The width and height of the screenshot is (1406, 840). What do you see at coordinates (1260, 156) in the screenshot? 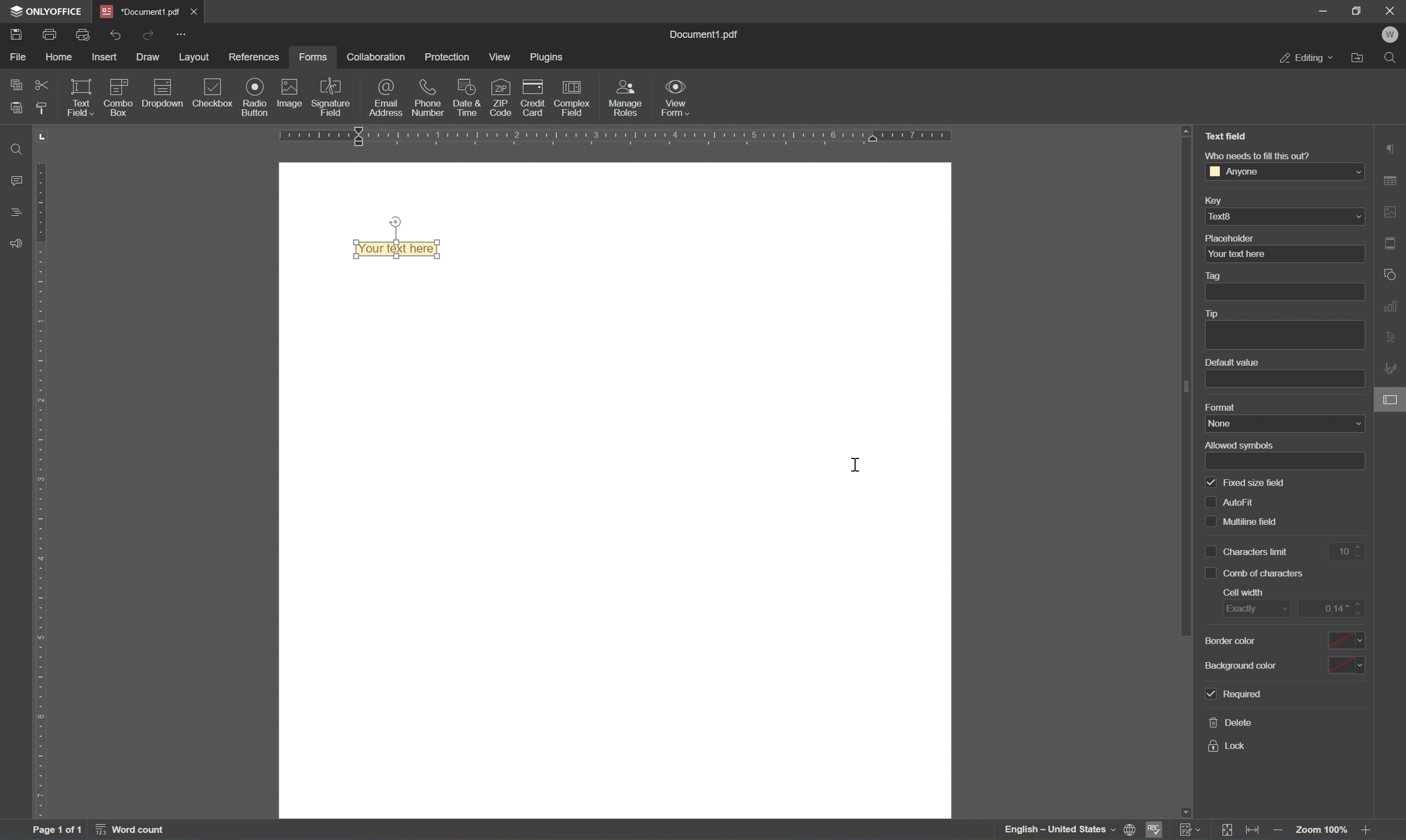
I see `who needs to fill this out` at bounding box center [1260, 156].